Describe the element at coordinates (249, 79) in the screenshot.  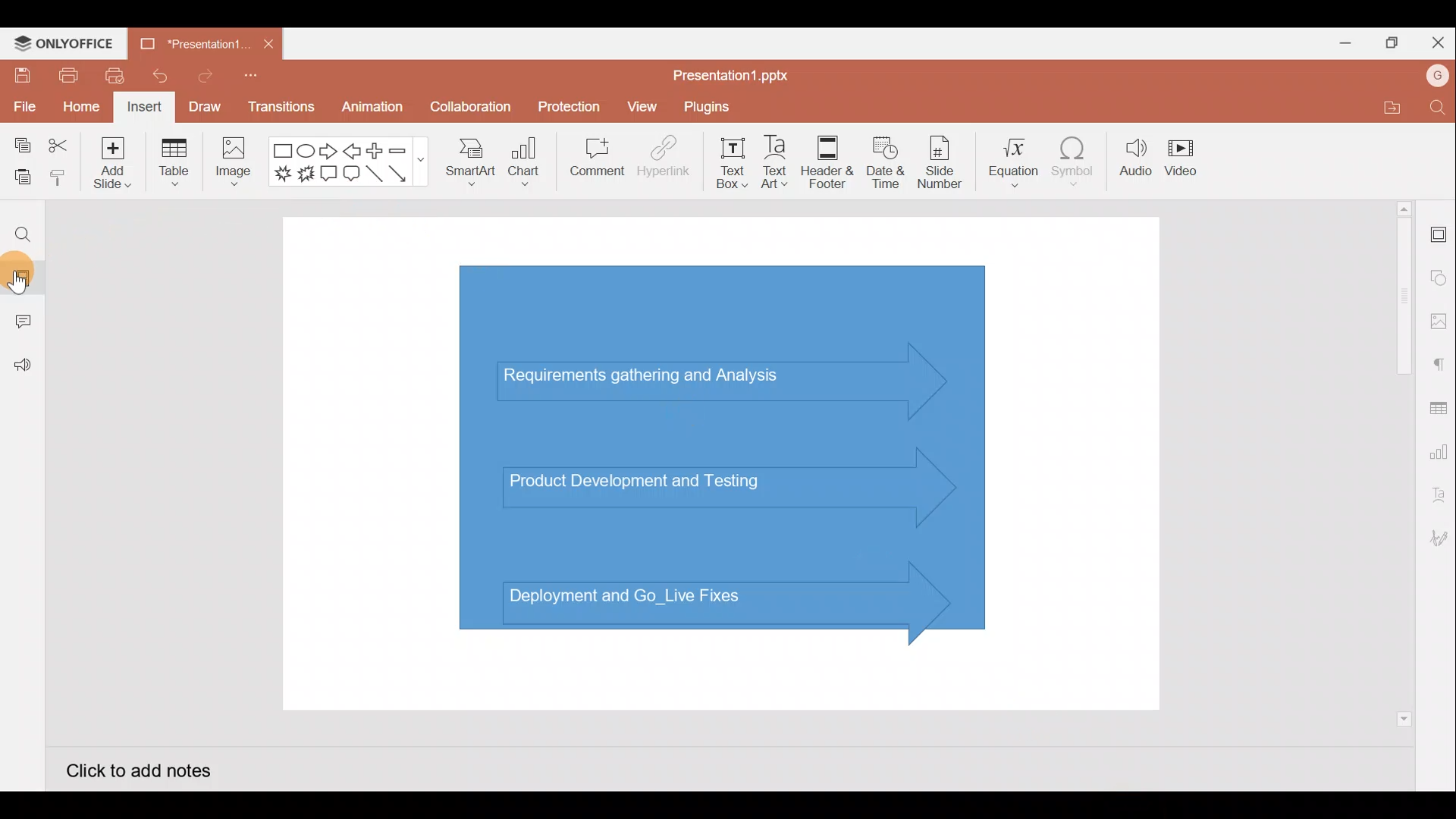
I see `Customize quick access toolbar` at that location.